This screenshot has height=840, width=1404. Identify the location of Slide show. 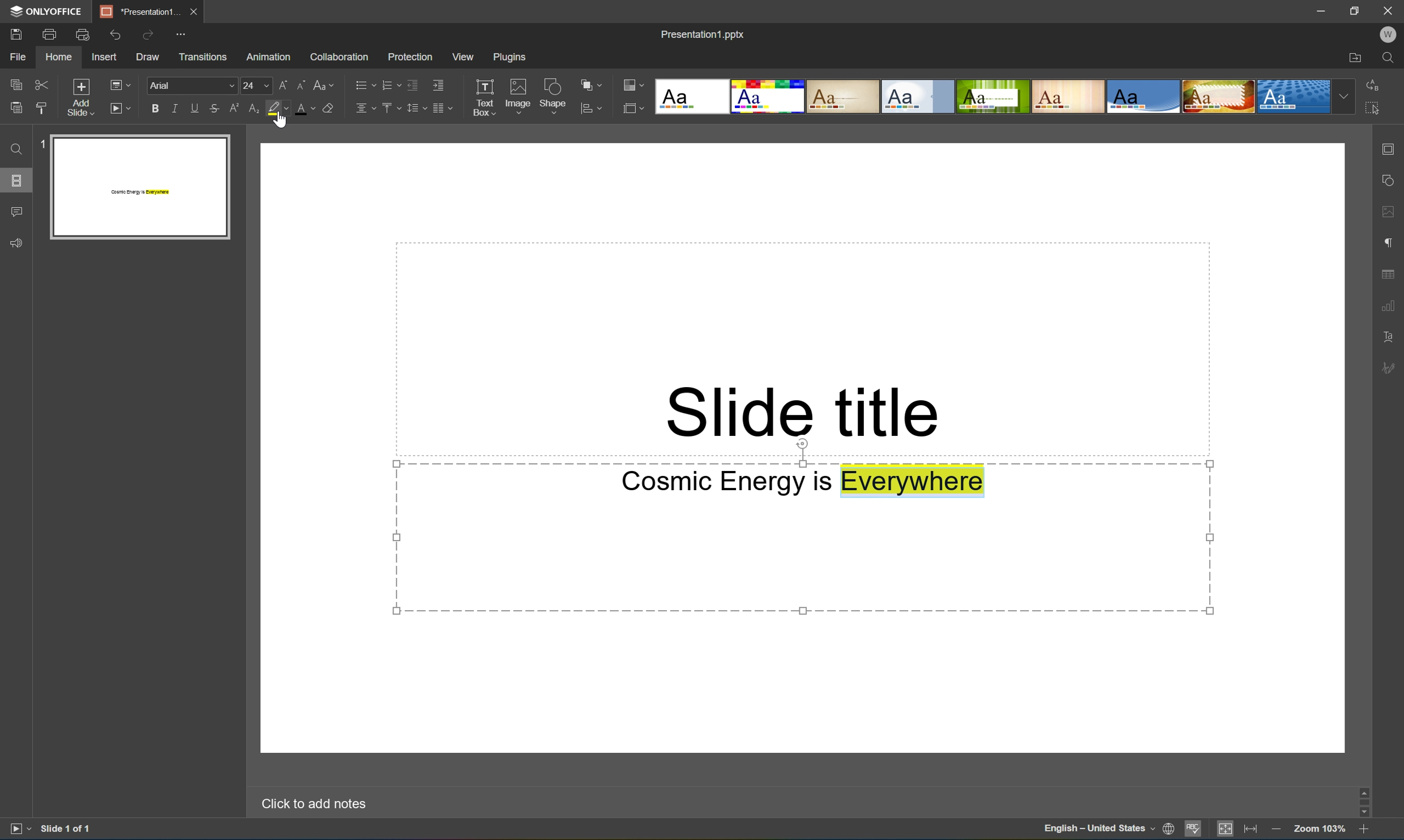
(18, 831).